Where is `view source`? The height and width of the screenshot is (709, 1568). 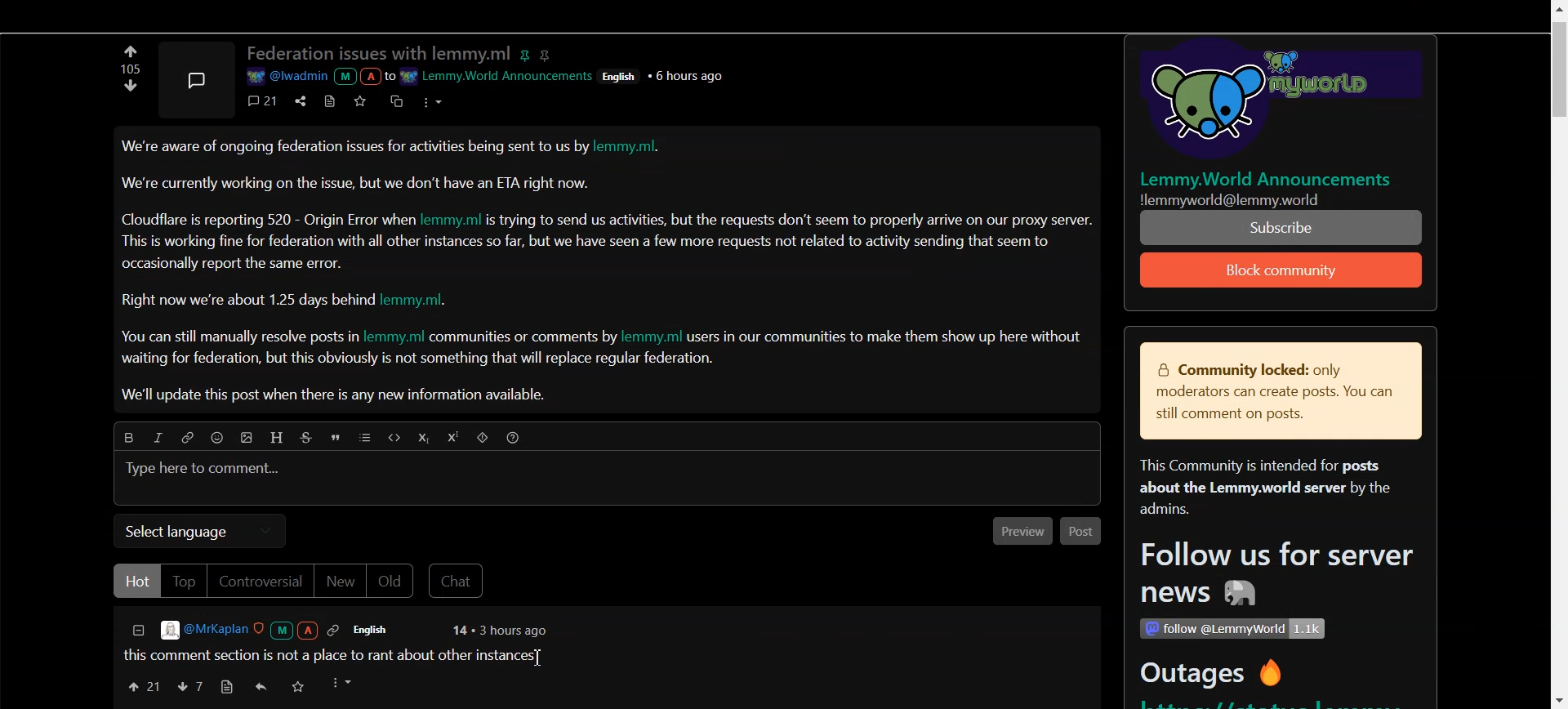
view source is located at coordinates (226, 687).